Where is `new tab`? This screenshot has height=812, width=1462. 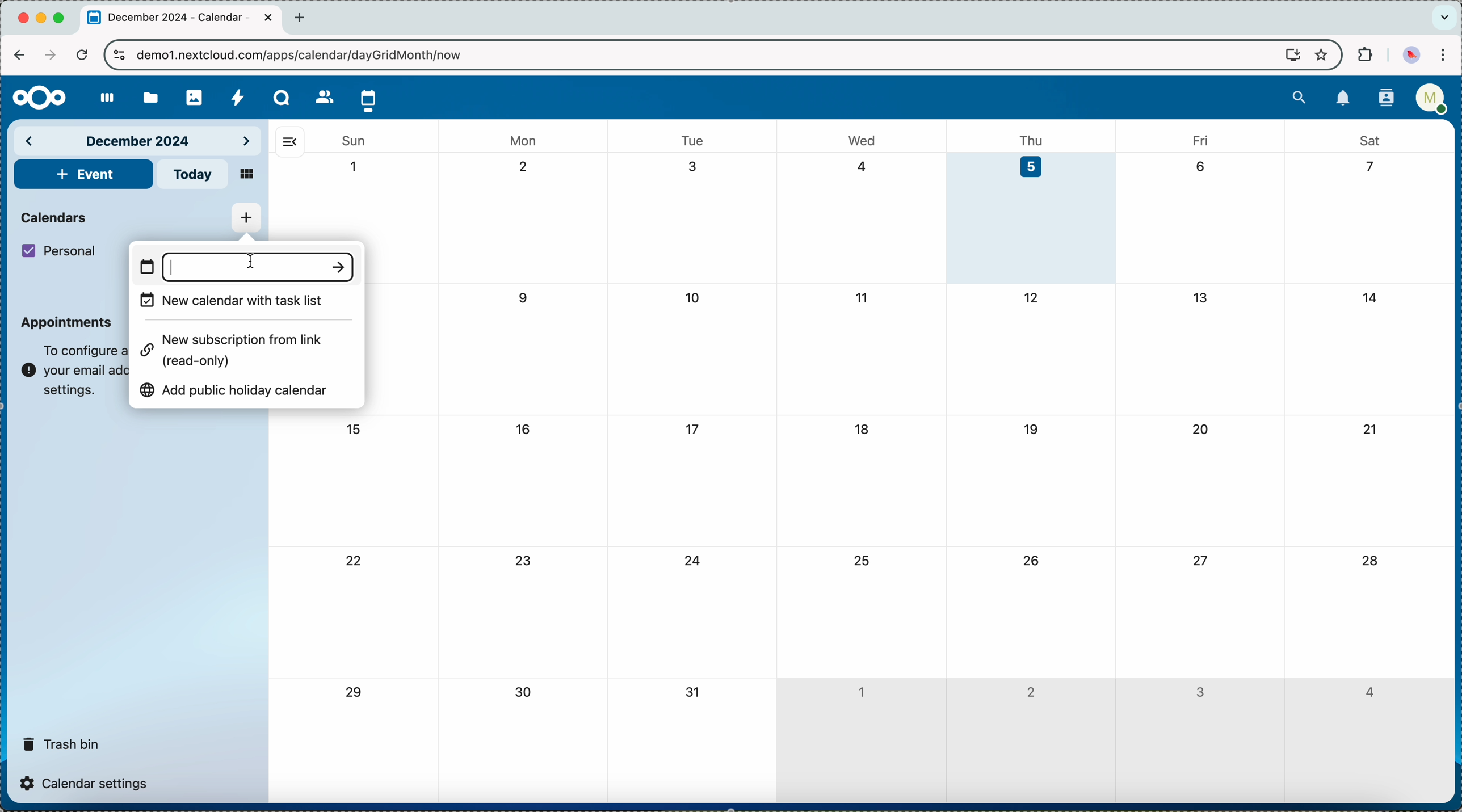
new tab is located at coordinates (303, 18).